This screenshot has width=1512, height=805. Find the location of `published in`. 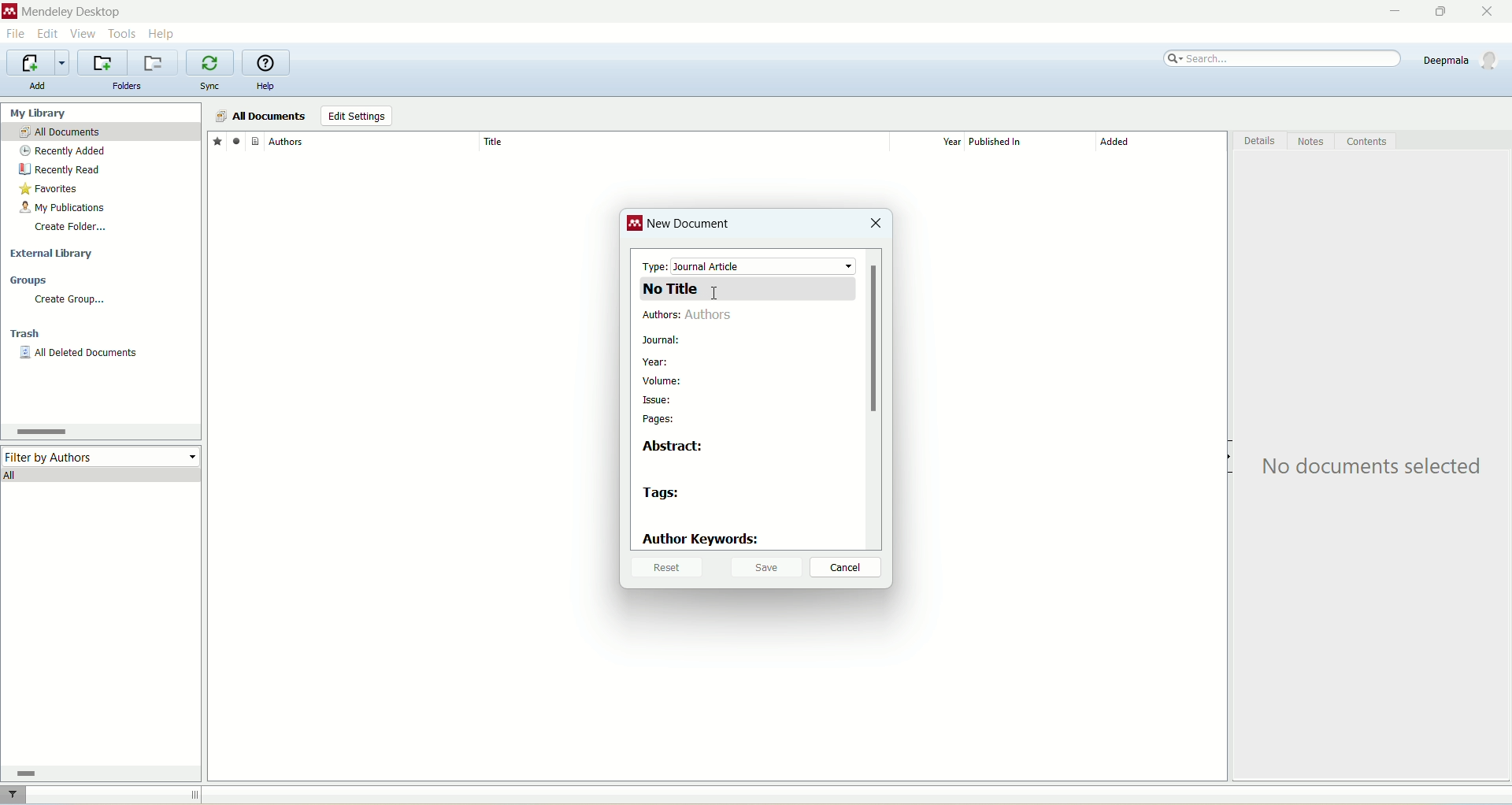

published in is located at coordinates (1024, 142).